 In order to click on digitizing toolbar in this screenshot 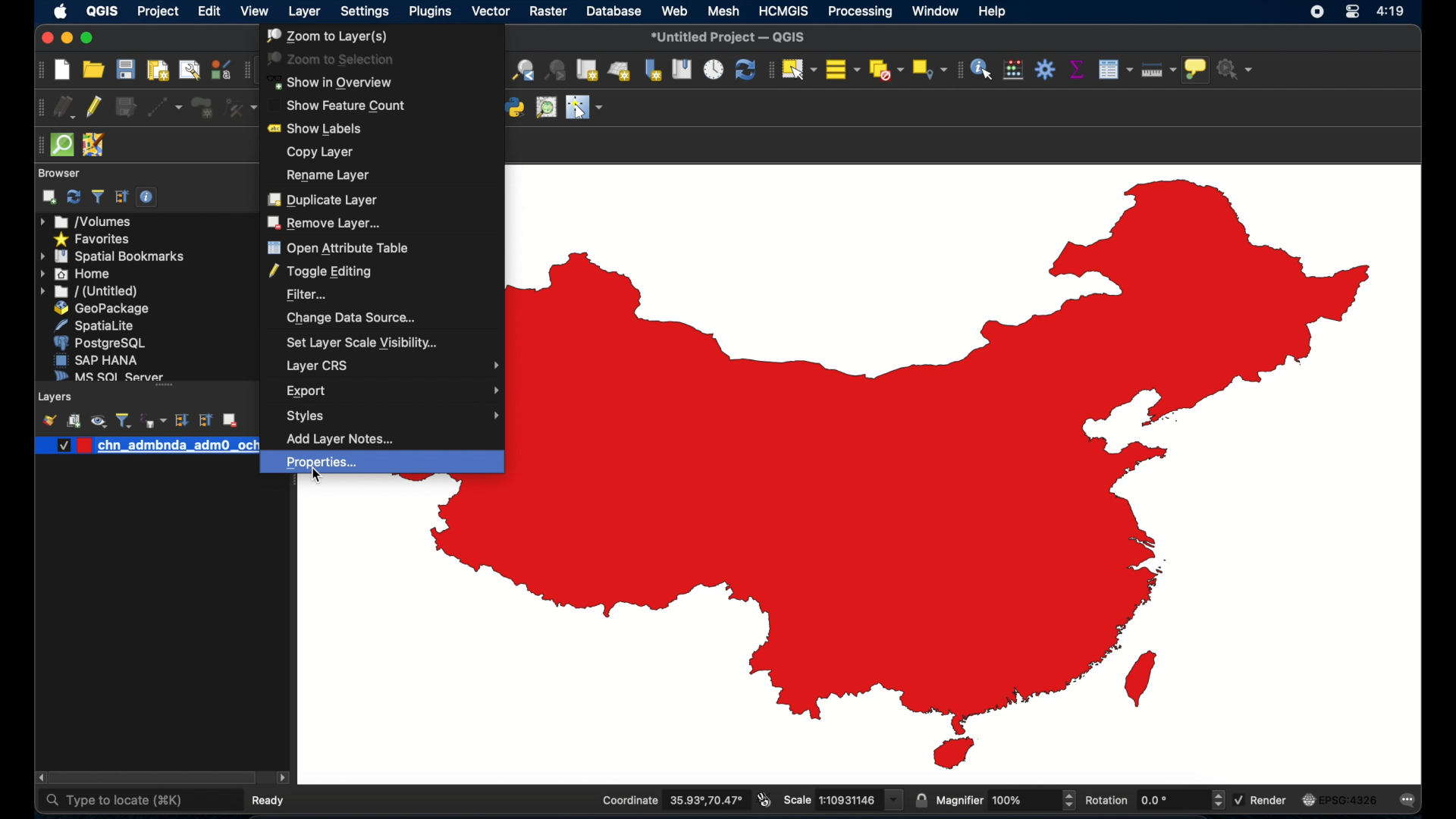, I will do `click(38, 109)`.